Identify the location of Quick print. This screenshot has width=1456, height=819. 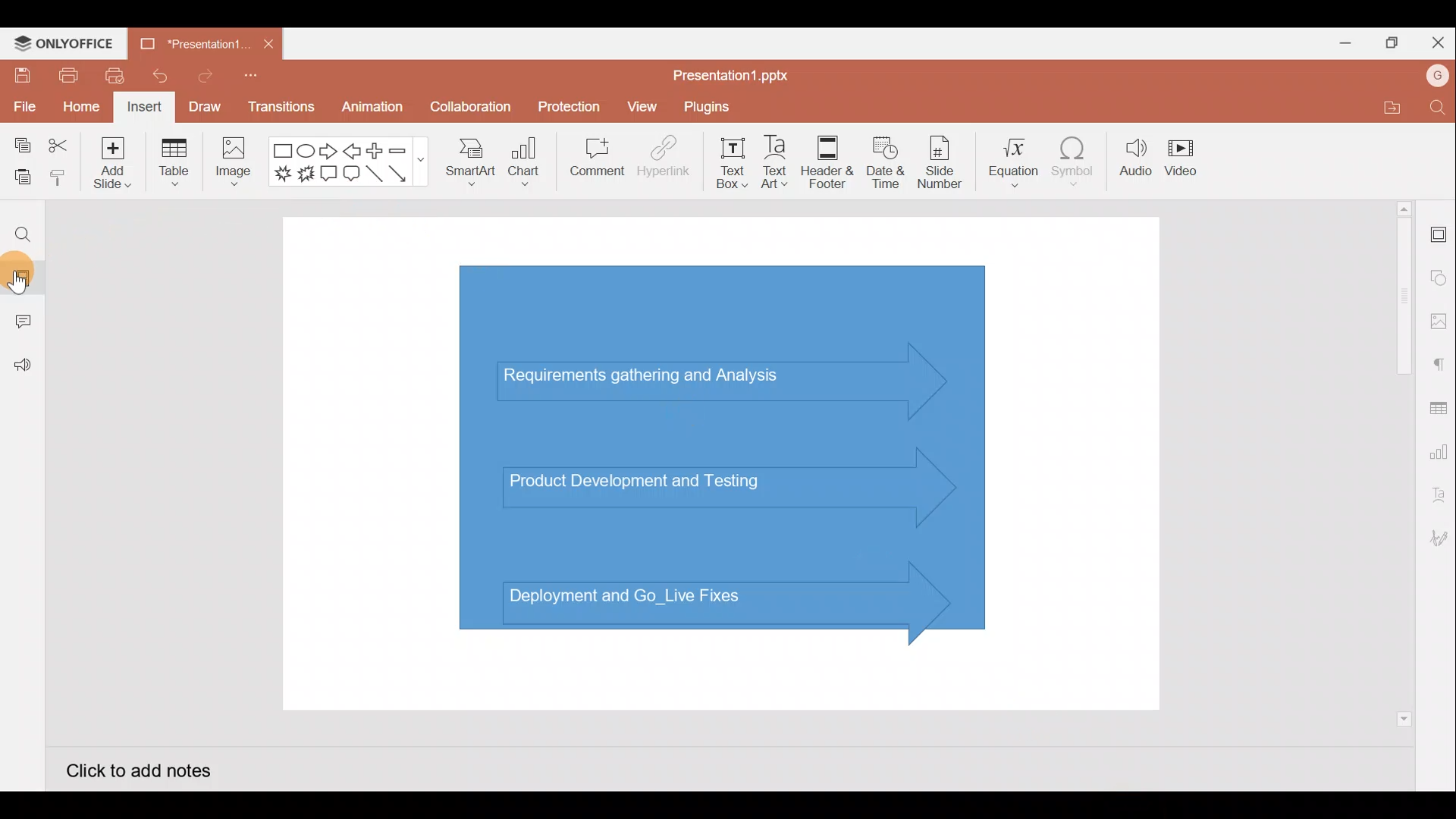
(115, 76).